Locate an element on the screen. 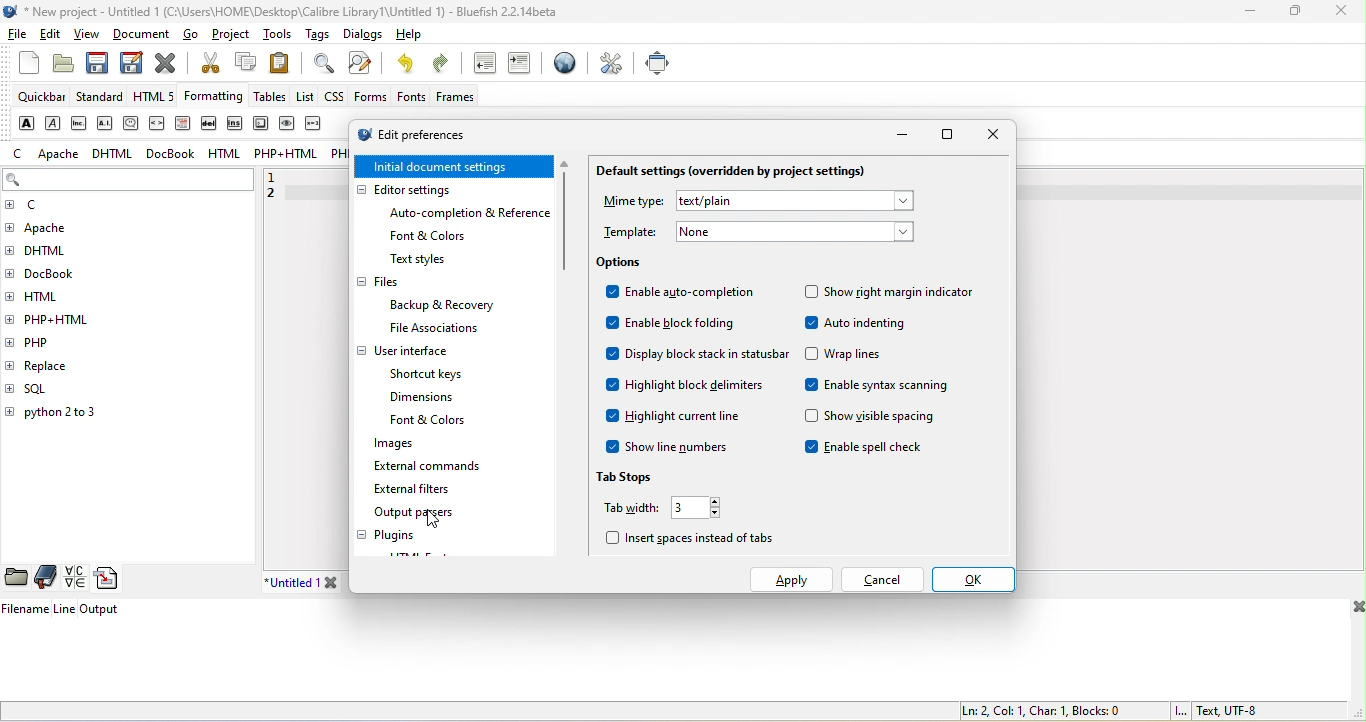 The width and height of the screenshot is (1366, 722). edit is located at coordinates (53, 37).